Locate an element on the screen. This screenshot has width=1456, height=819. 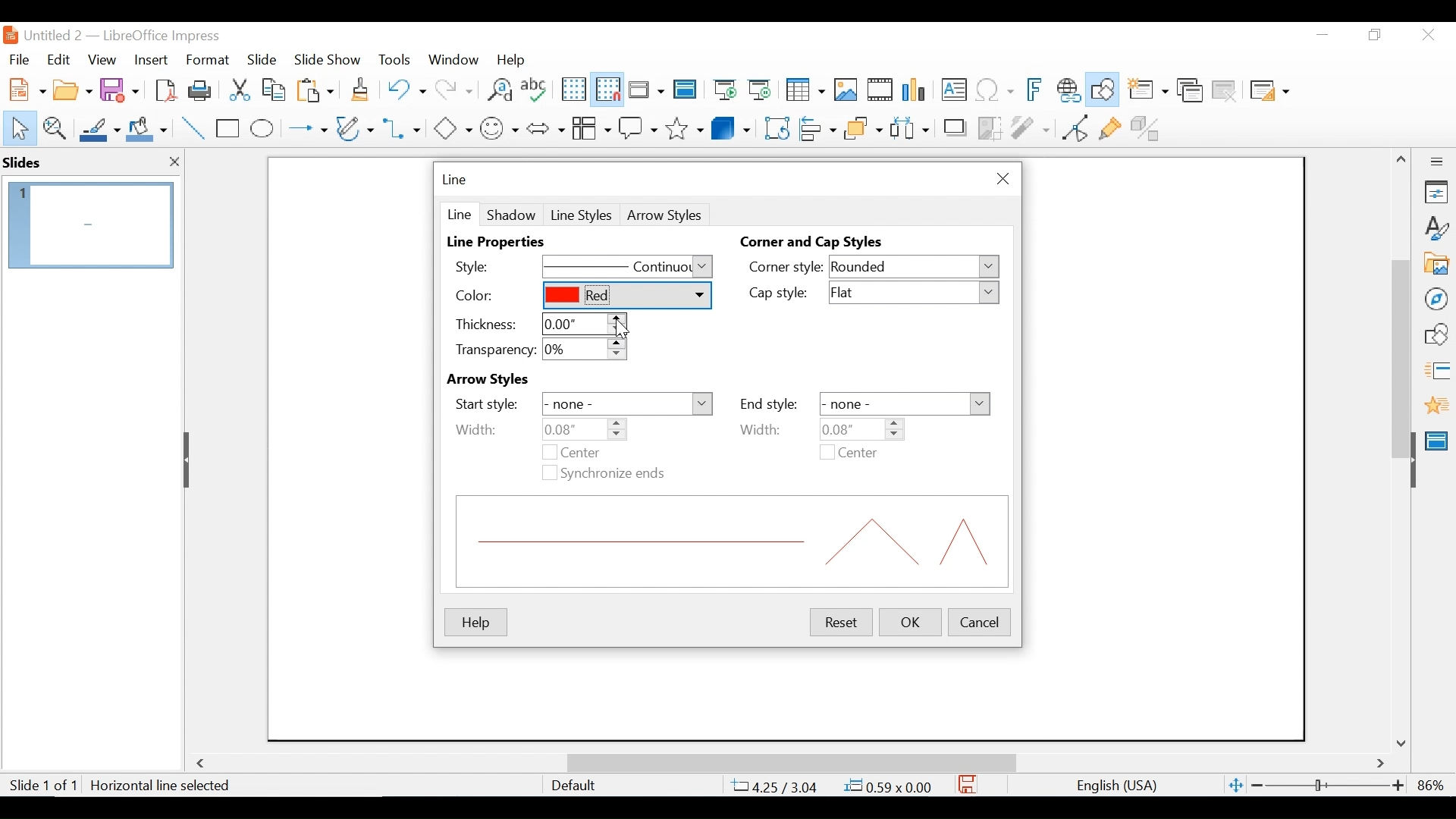
Filter Image is located at coordinates (1030, 127).